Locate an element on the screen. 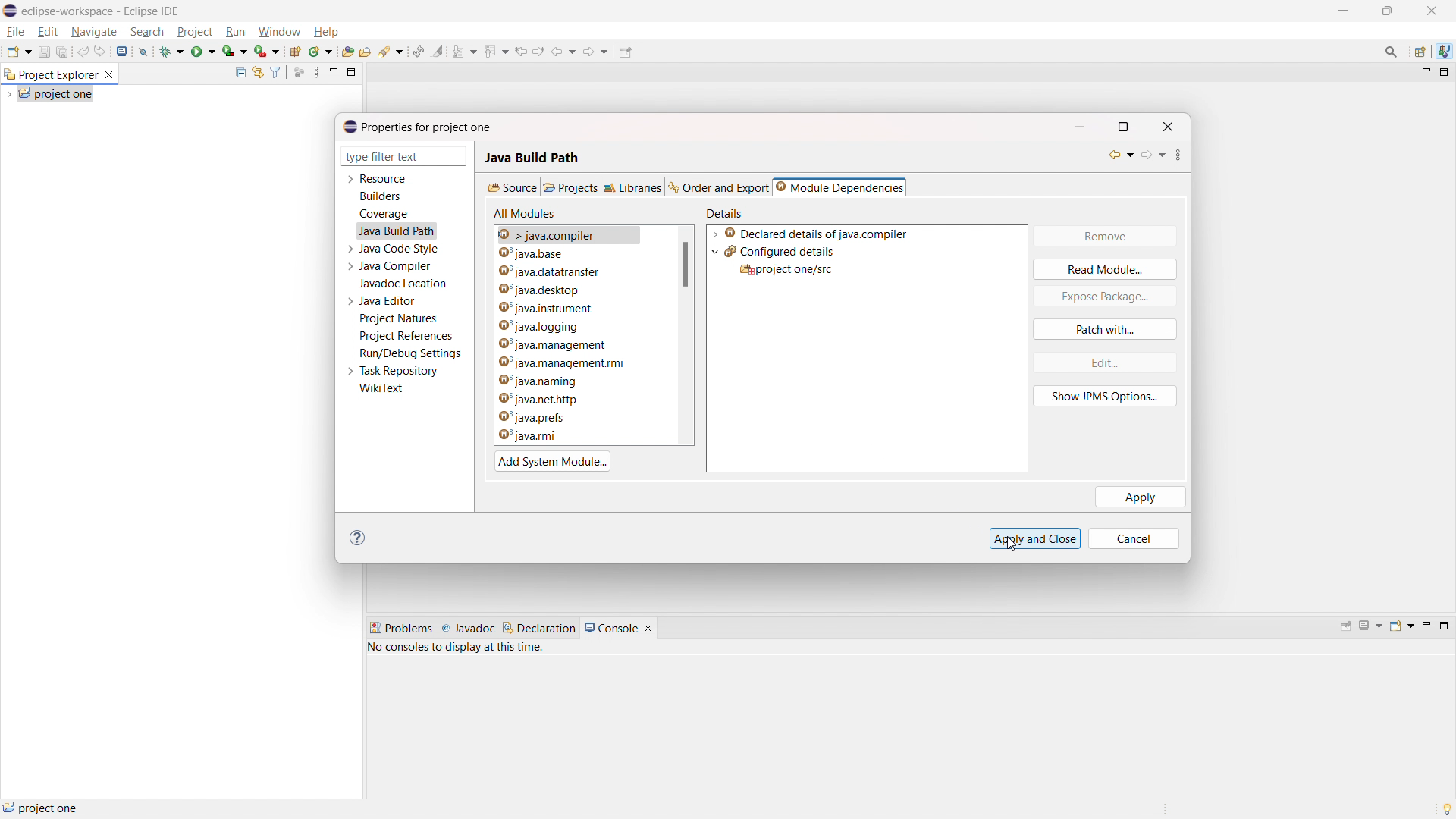 The width and height of the screenshot is (1456, 819). coverage is located at coordinates (384, 214).